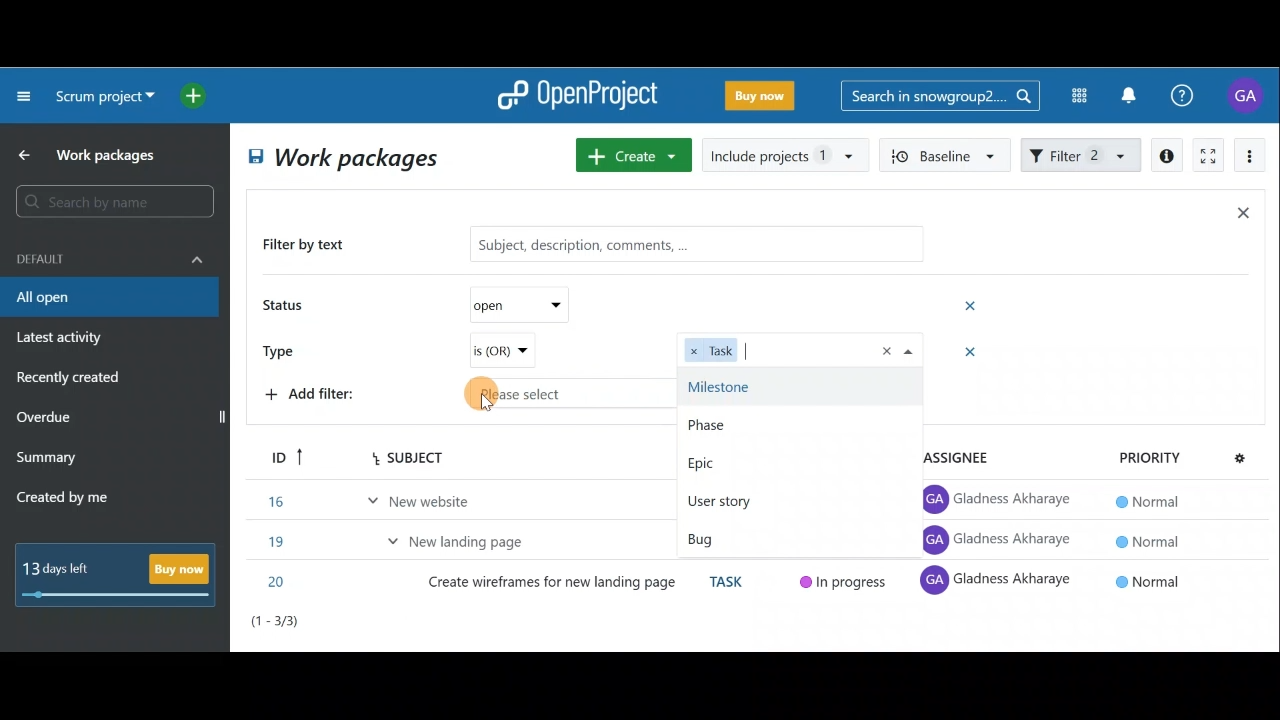 This screenshot has width=1280, height=720. What do you see at coordinates (779, 538) in the screenshot?
I see `User story` at bounding box center [779, 538].